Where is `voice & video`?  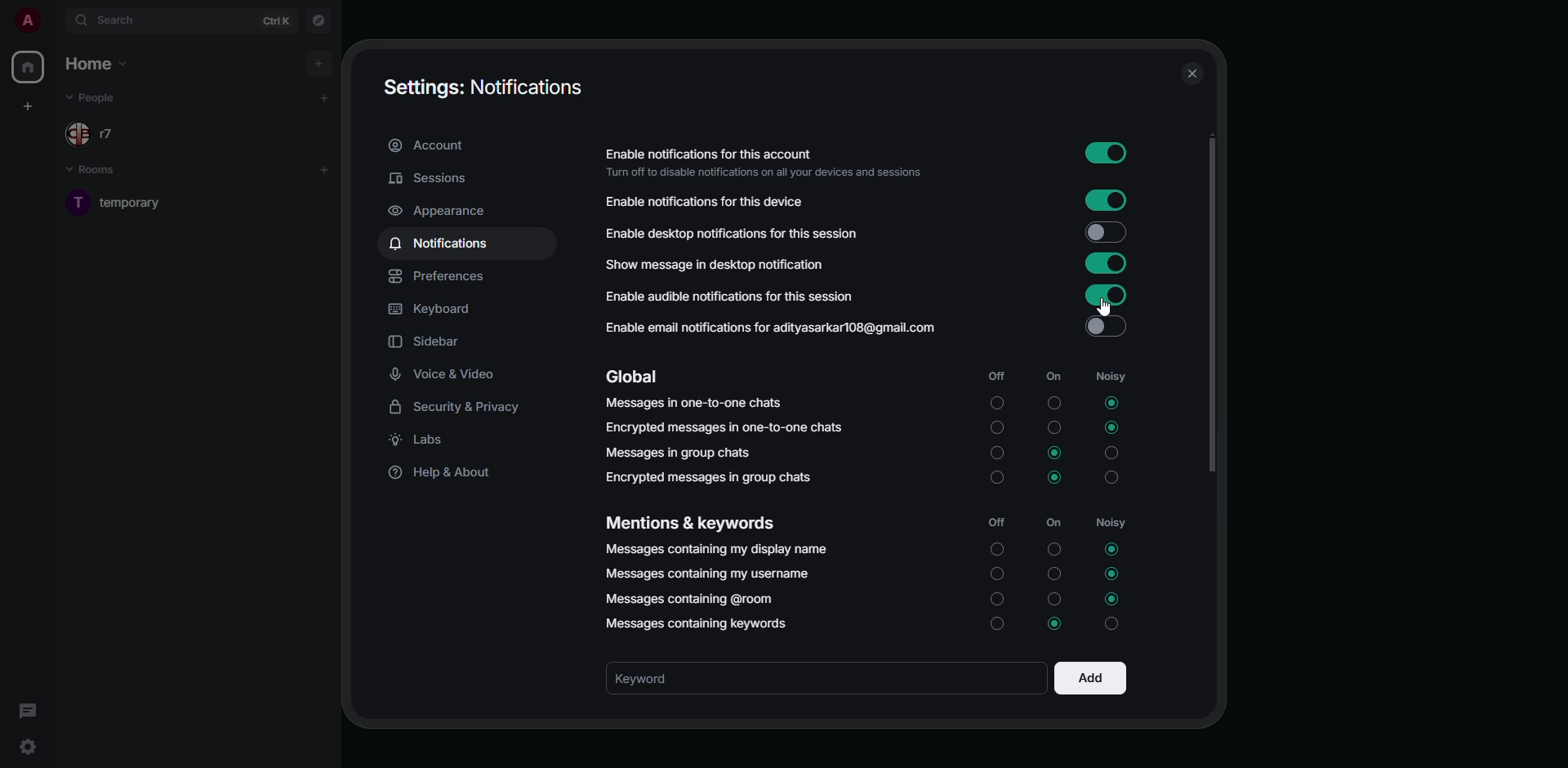 voice & video is located at coordinates (451, 375).